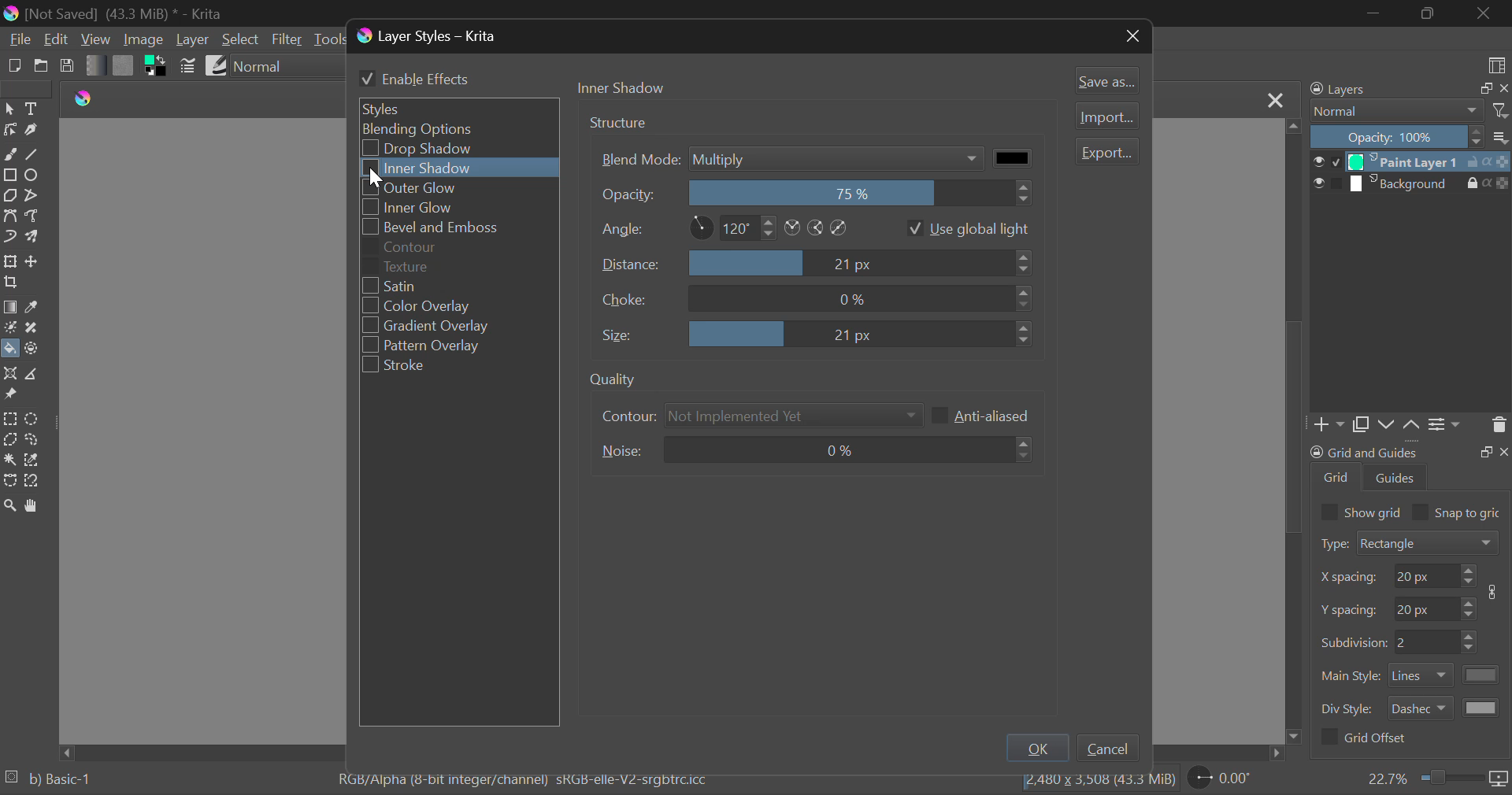  I want to click on Layer, so click(193, 41).